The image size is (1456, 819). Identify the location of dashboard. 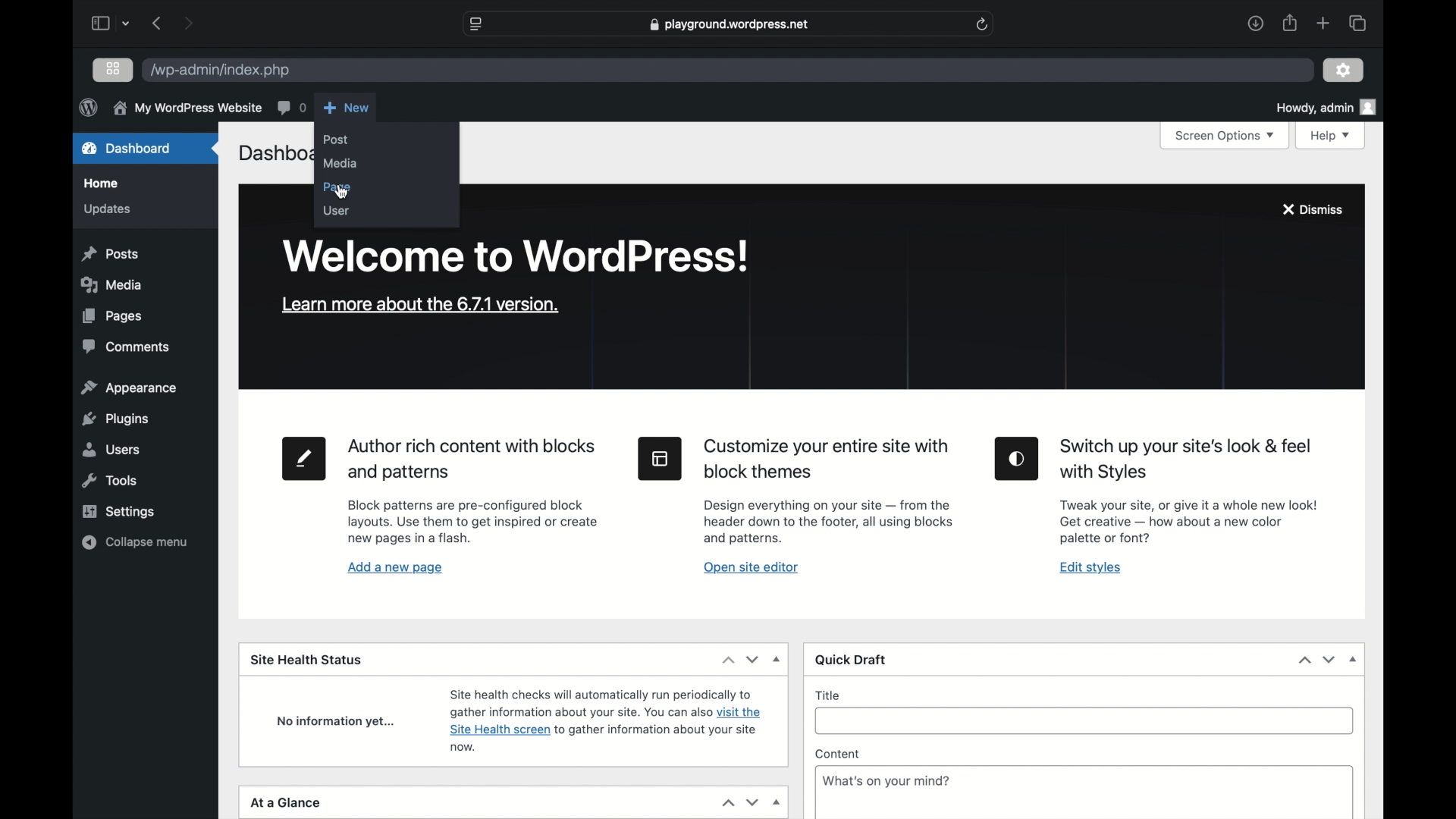
(126, 148).